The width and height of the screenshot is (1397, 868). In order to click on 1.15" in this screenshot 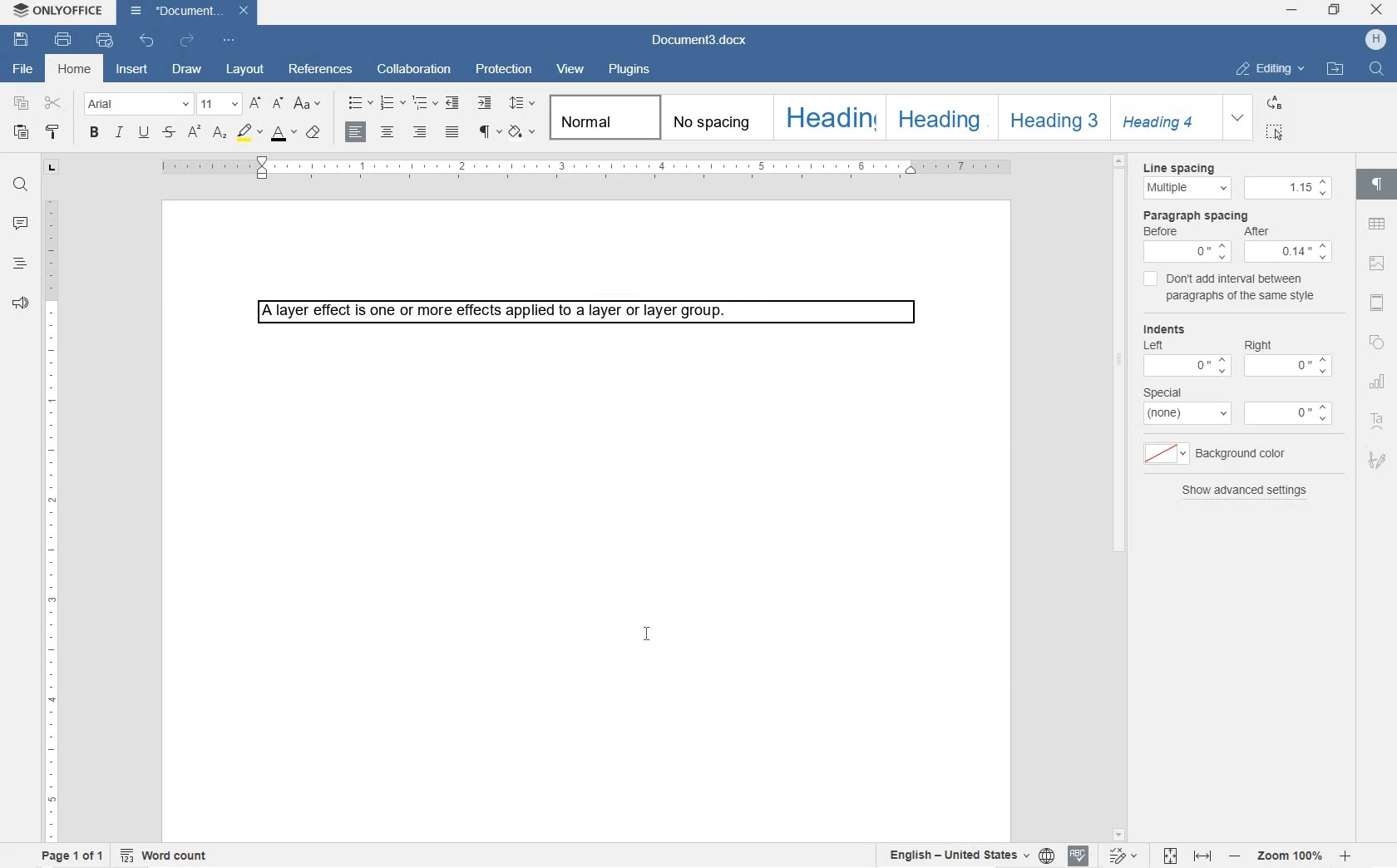, I will do `click(1289, 189)`.